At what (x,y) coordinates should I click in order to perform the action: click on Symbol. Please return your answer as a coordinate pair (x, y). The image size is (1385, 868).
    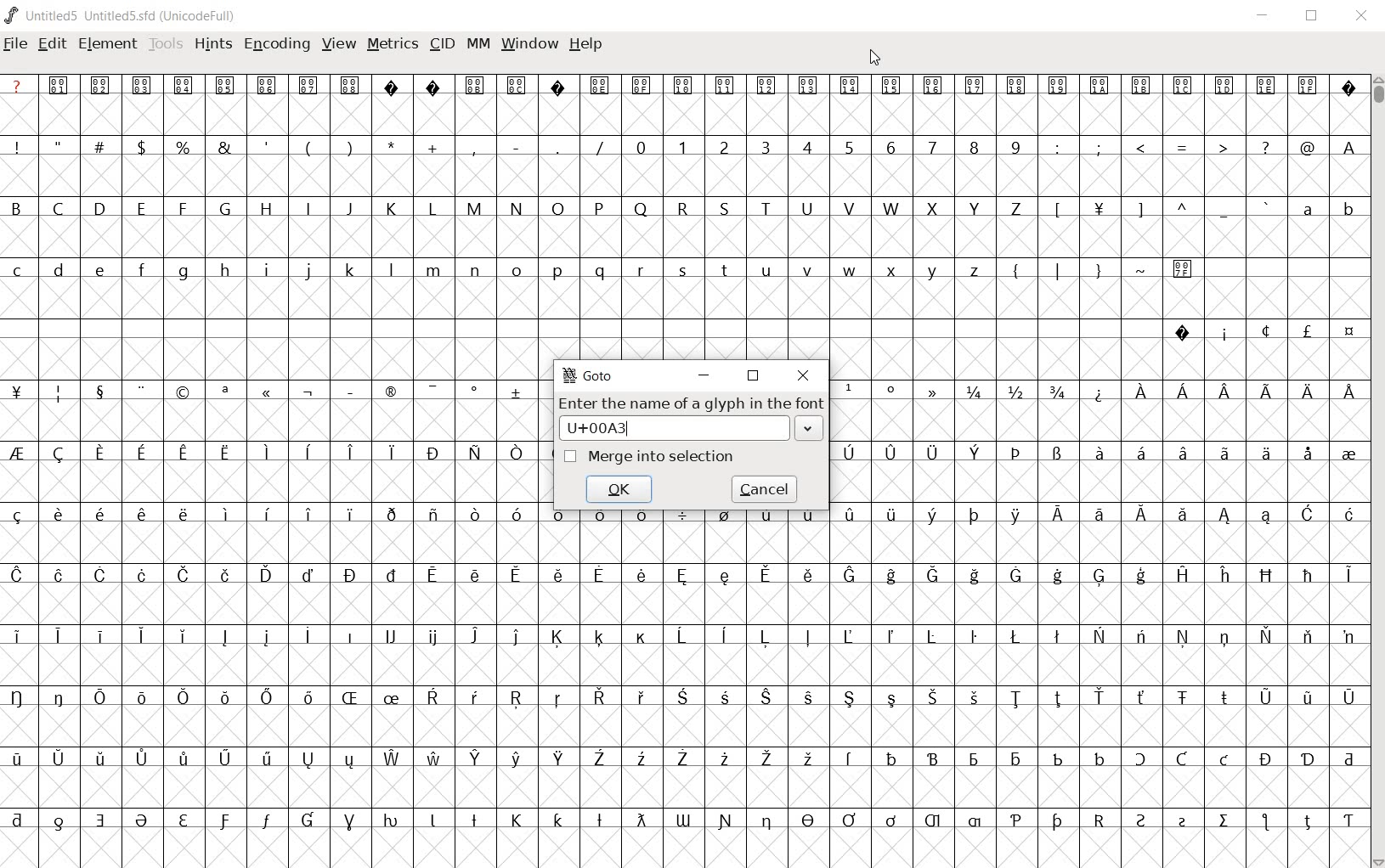
    Looking at the image, I should click on (1139, 516).